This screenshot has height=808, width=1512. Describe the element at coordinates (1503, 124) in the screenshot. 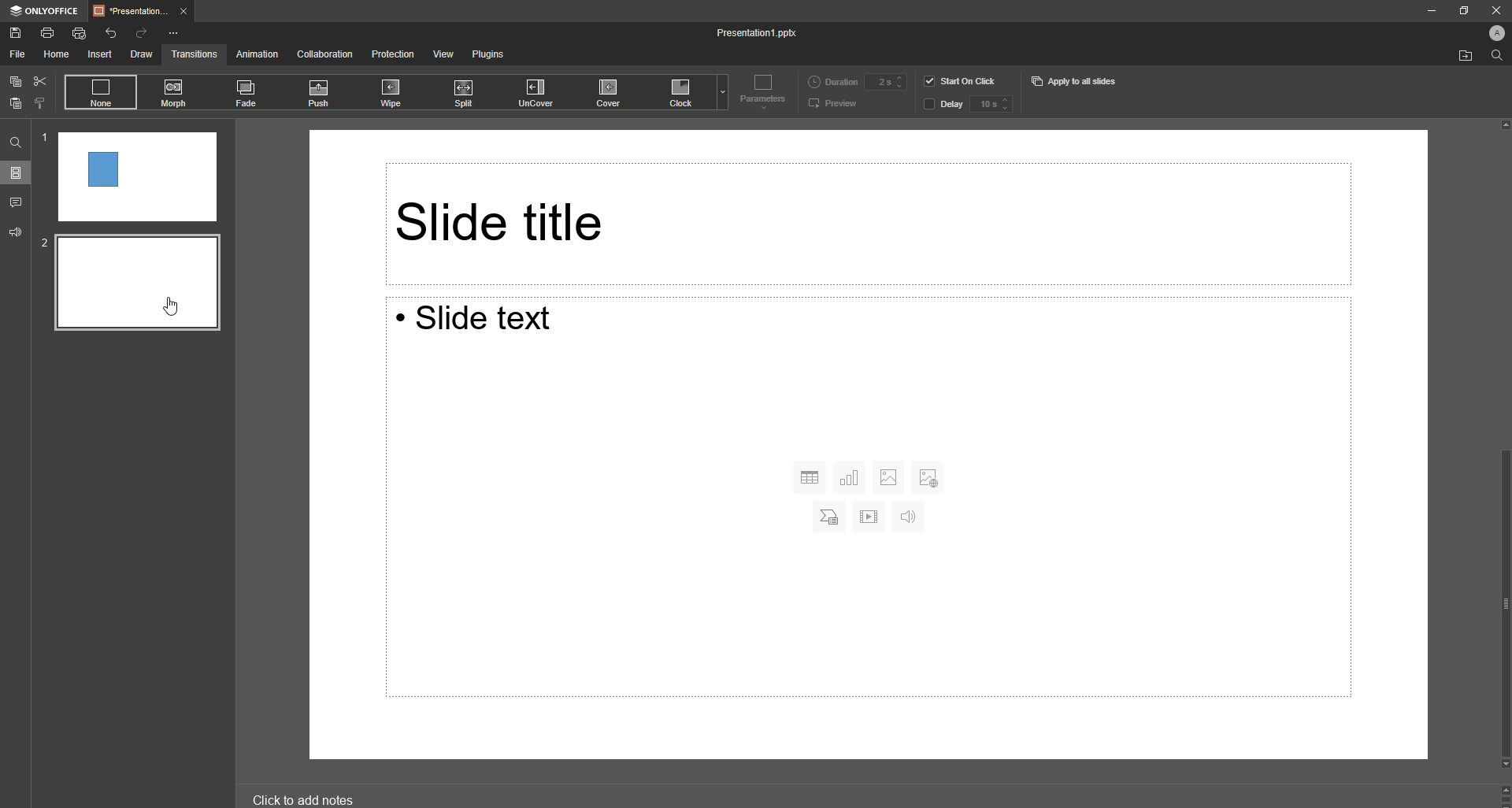

I see `Up` at that location.